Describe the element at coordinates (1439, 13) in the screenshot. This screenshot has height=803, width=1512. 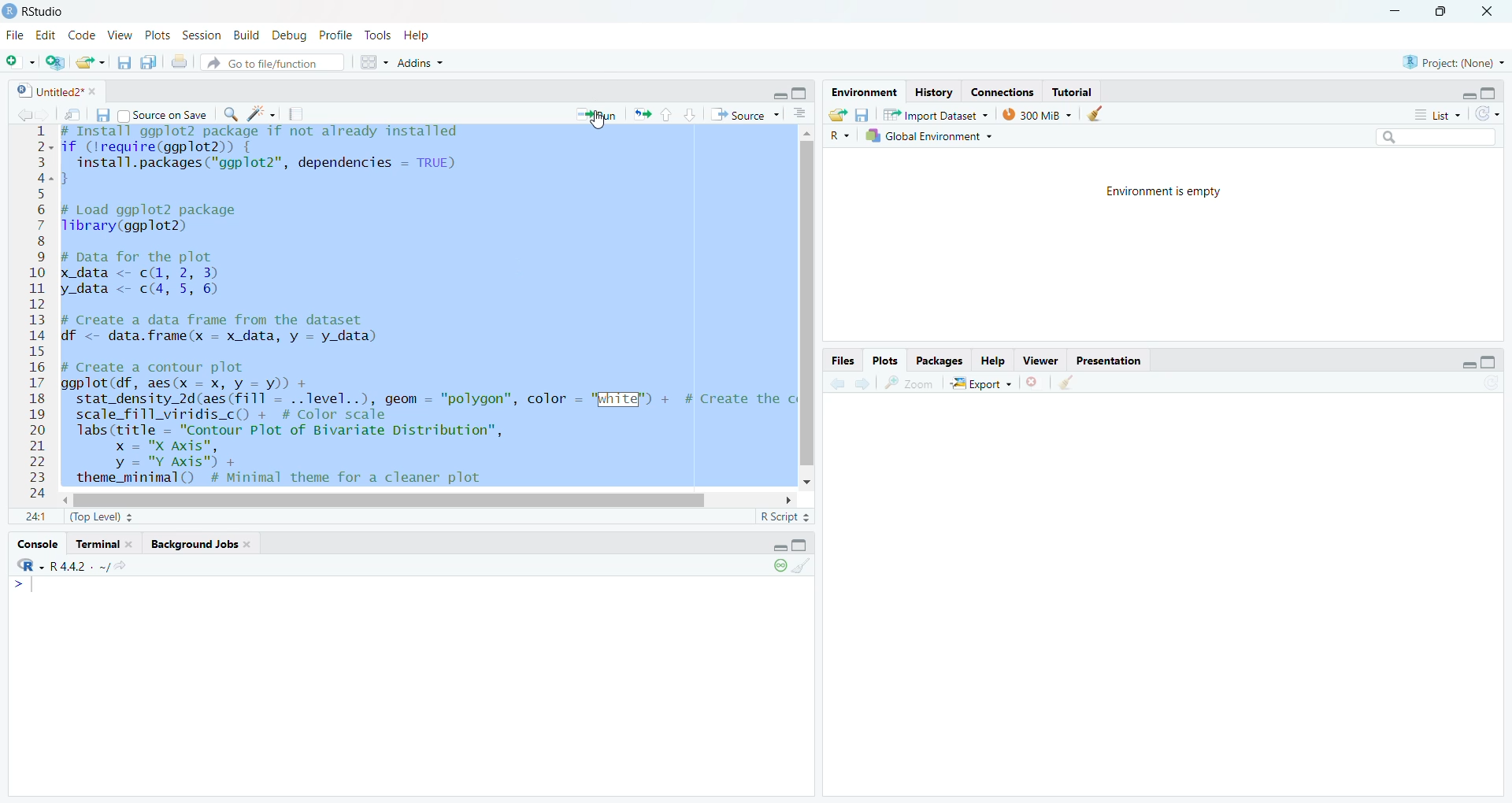
I see `maximize` at that location.